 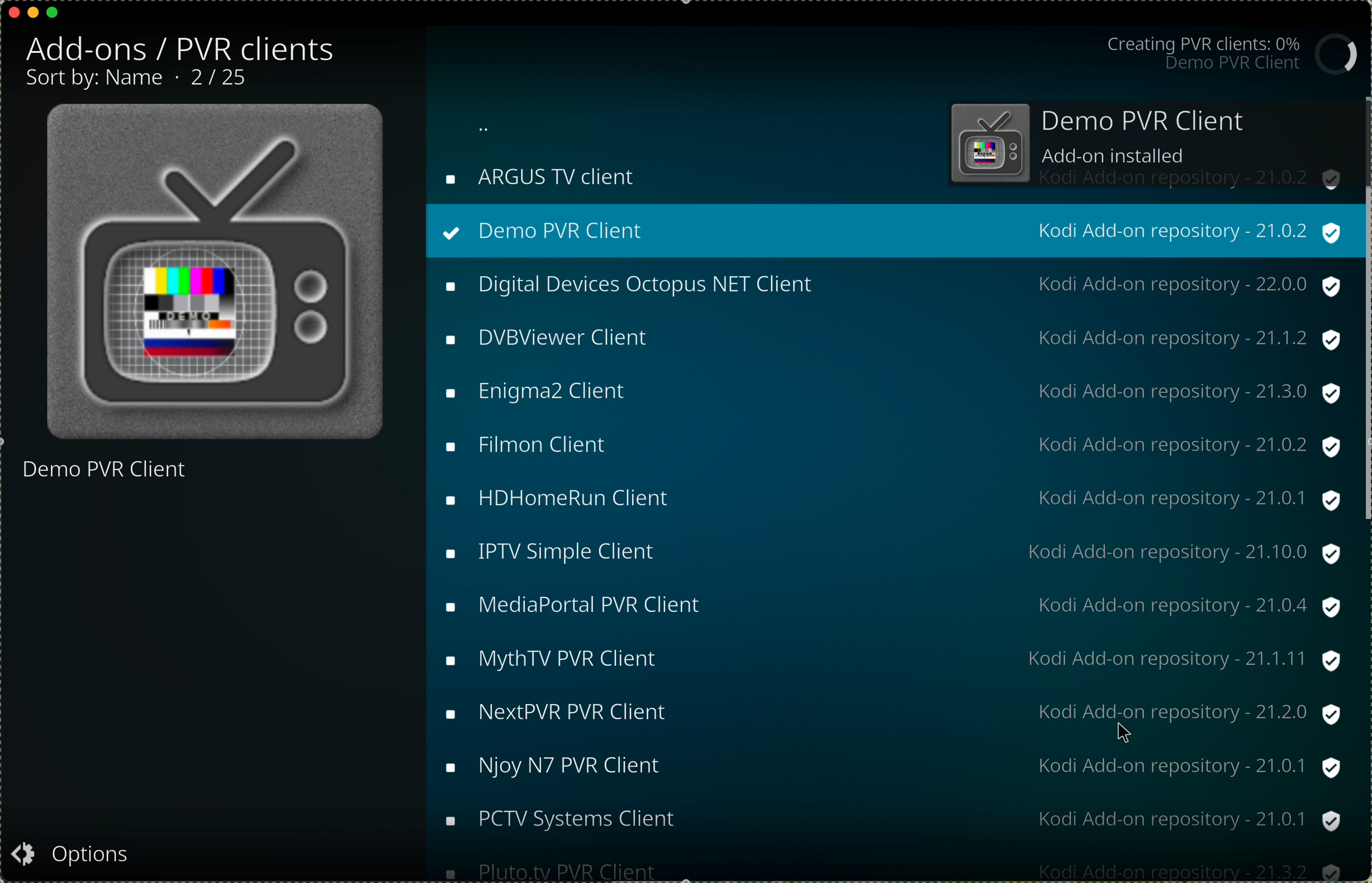 I want to click on close app, so click(x=12, y=10).